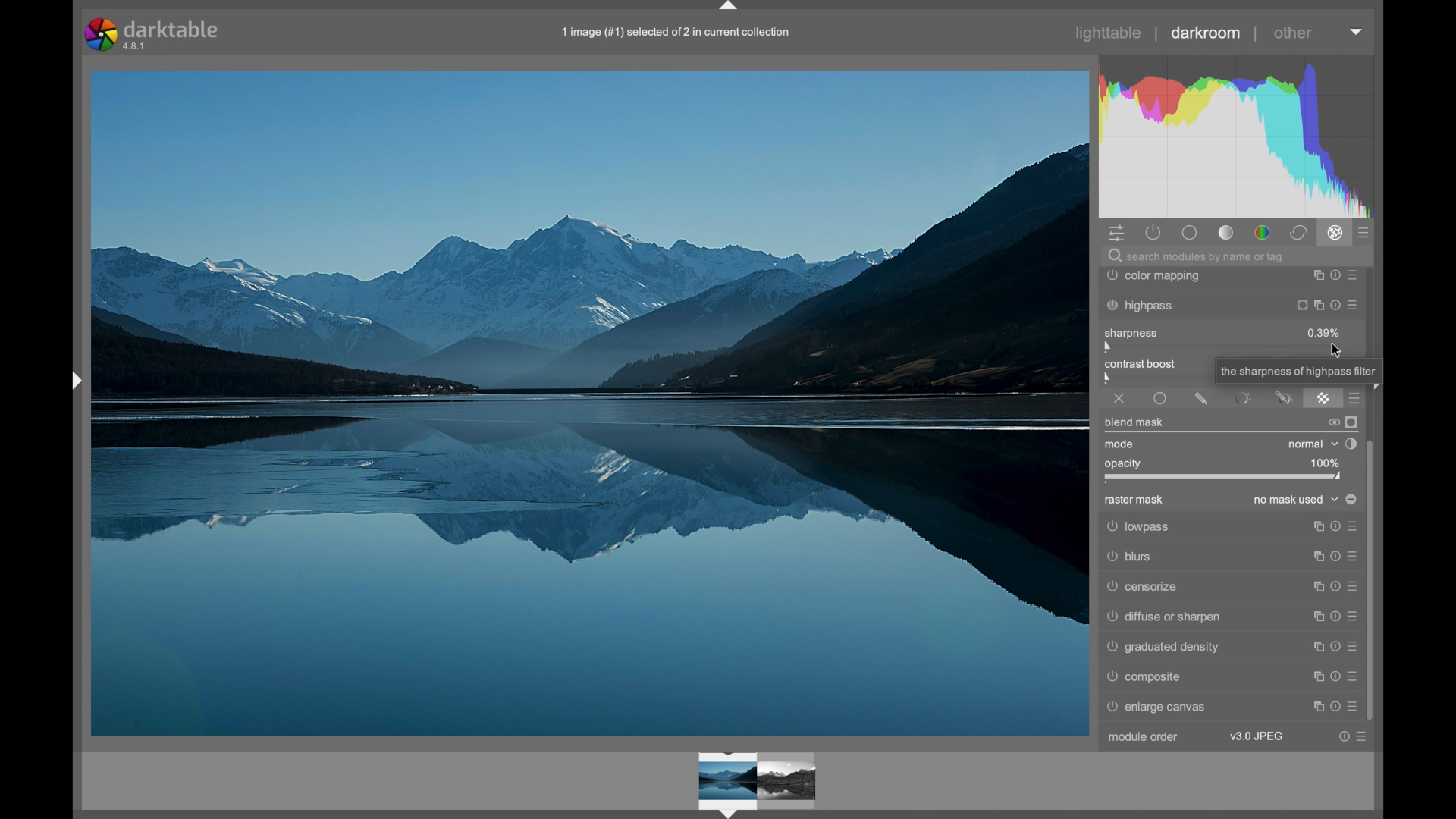 The height and width of the screenshot is (819, 1456). What do you see at coordinates (1191, 234) in the screenshot?
I see `base` at bounding box center [1191, 234].